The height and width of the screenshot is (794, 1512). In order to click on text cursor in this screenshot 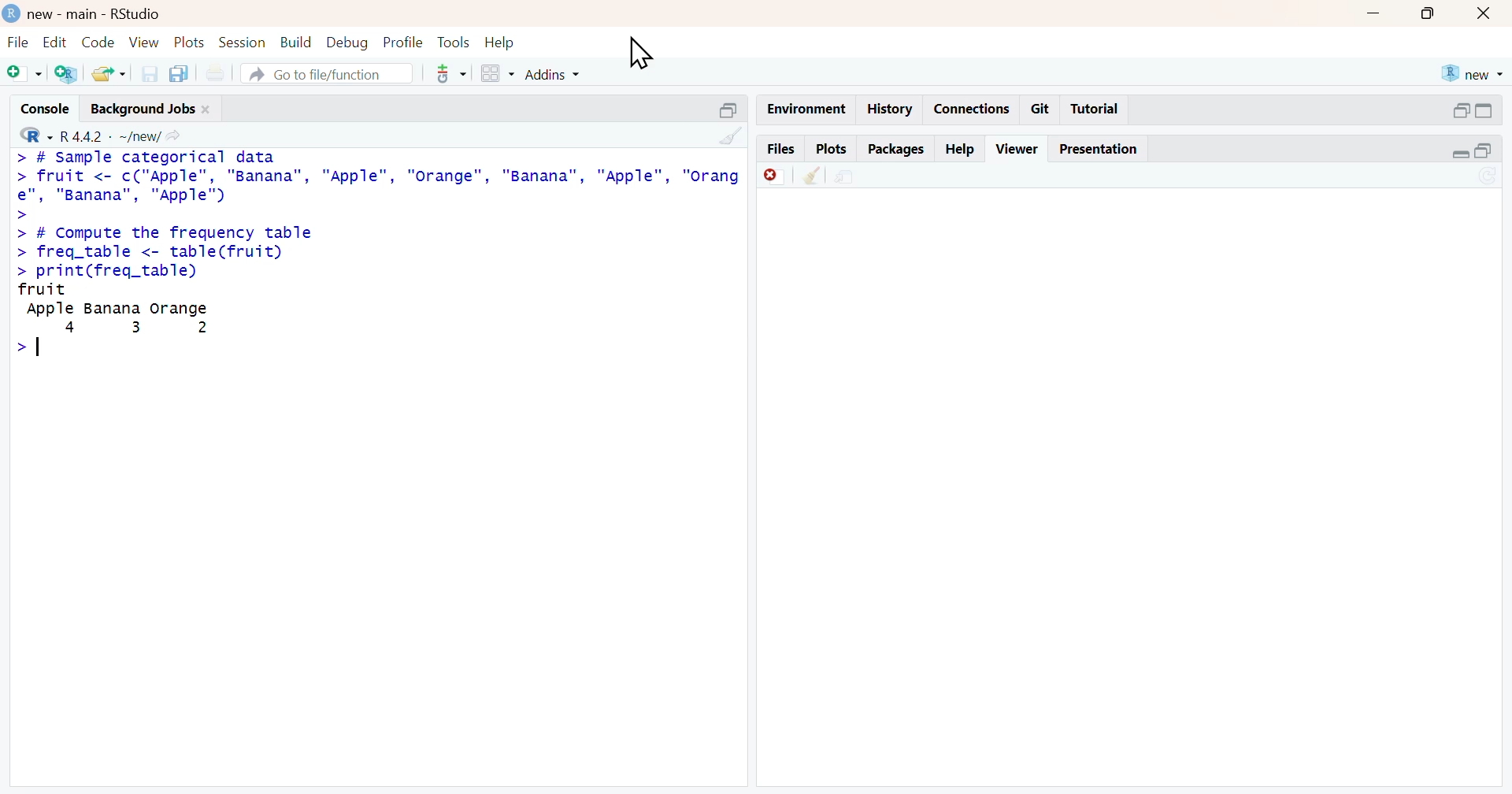, I will do `click(35, 350)`.